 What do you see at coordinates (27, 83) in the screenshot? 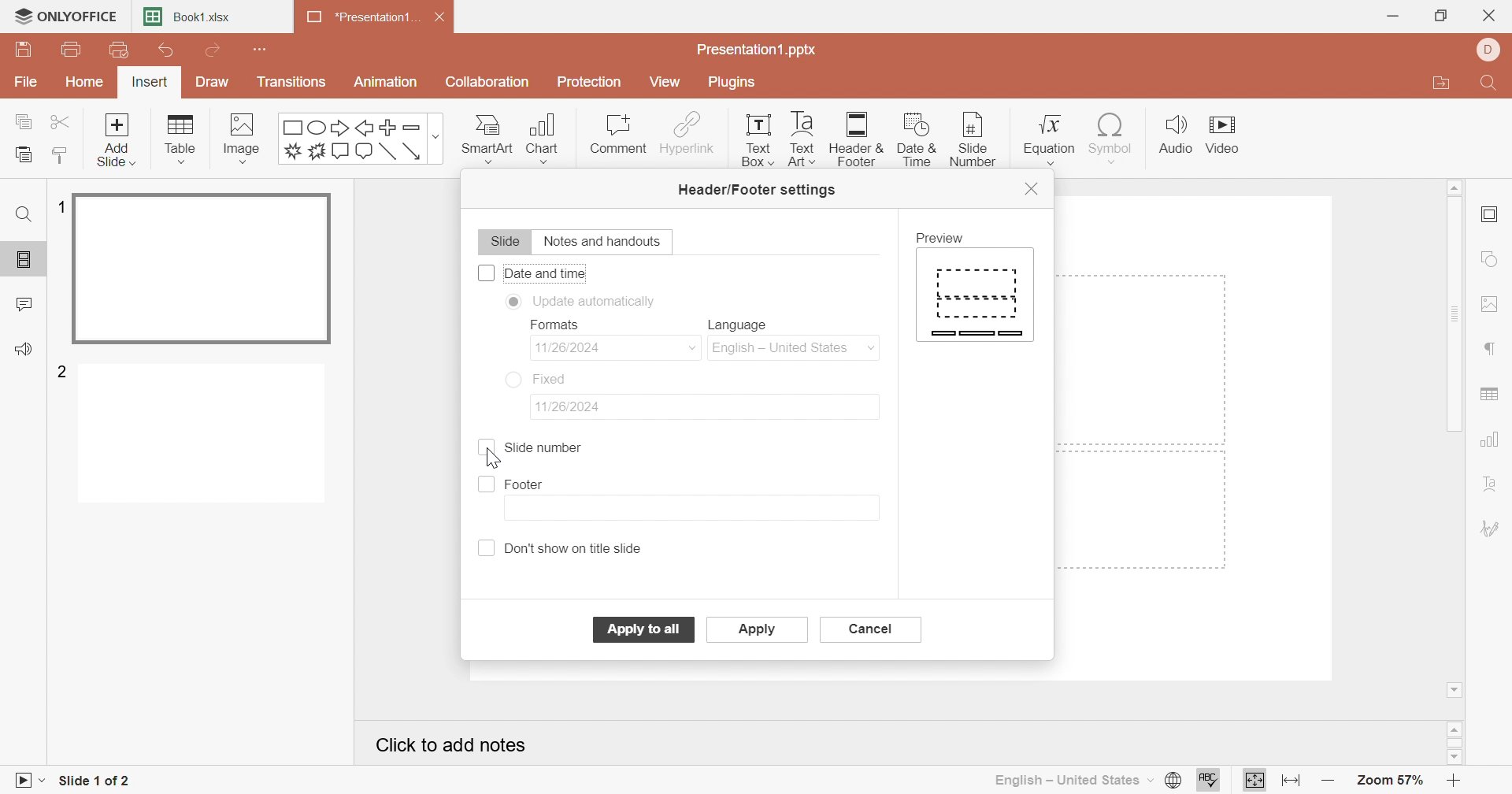
I see `File` at bounding box center [27, 83].